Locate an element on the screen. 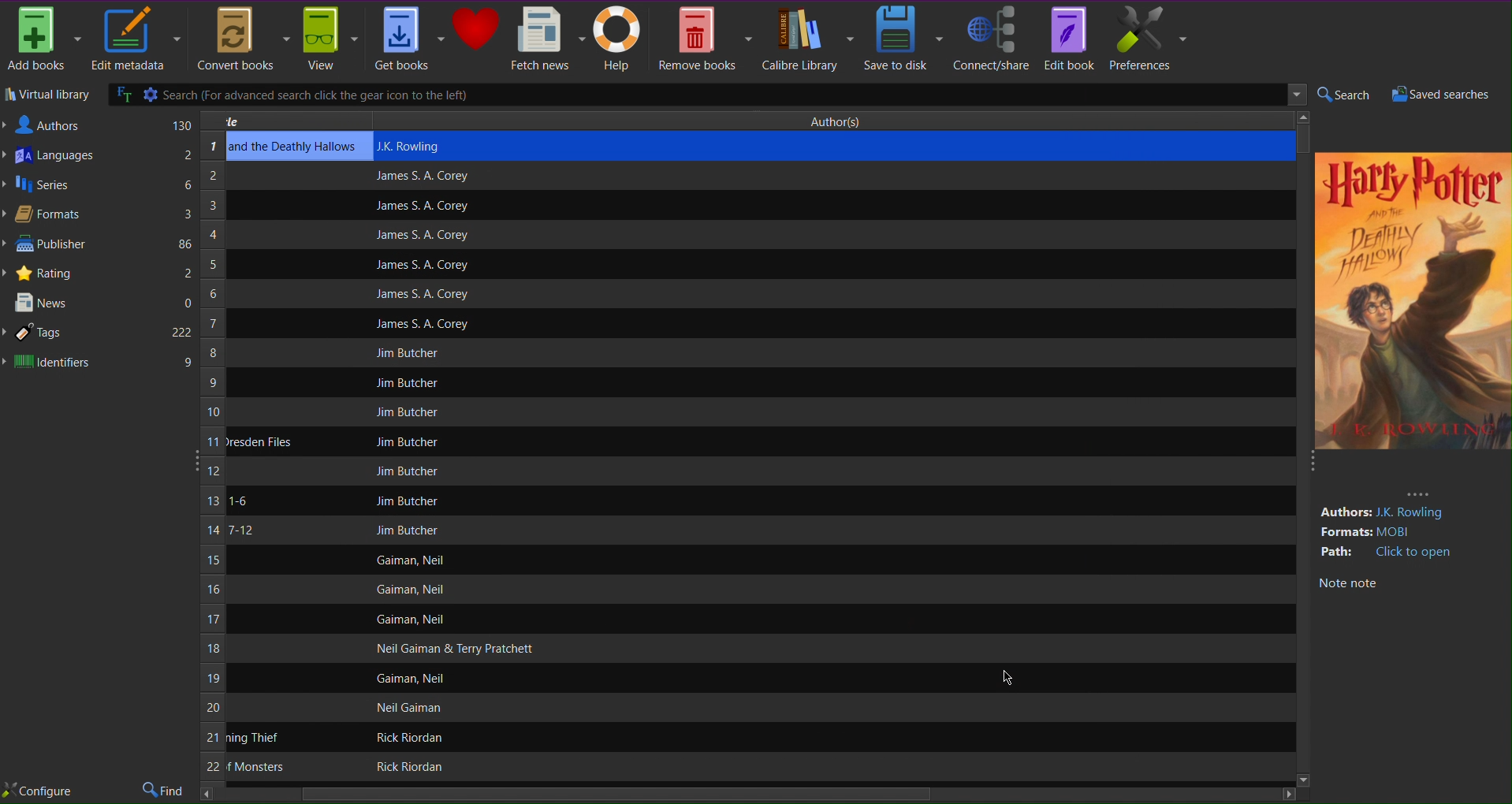  Jim Butcher is located at coordinates (408, 530).